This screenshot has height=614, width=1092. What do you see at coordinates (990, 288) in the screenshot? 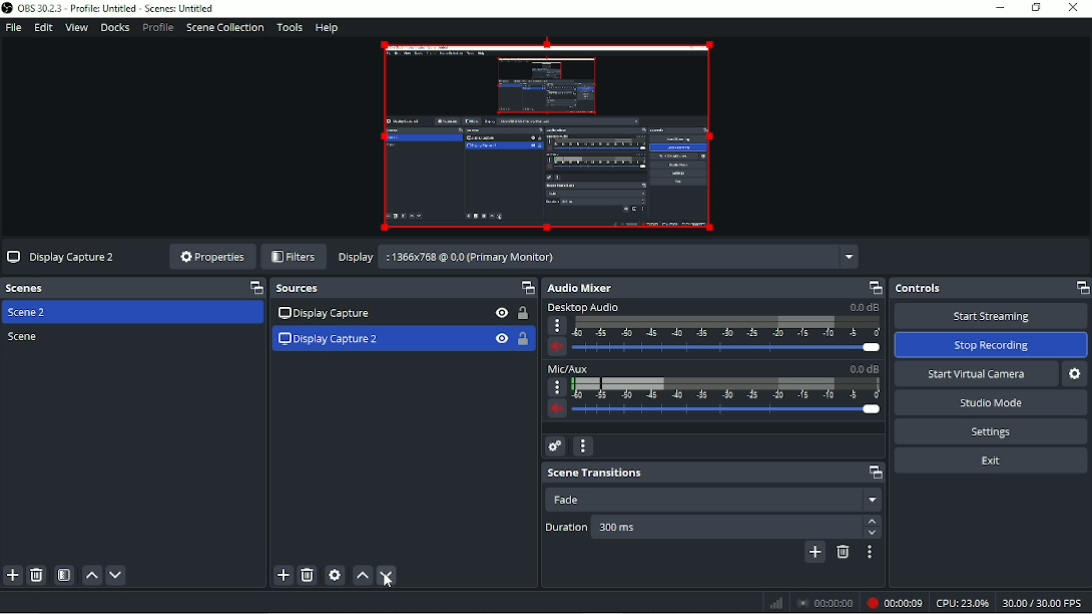
I see `Controls` at bounding box center [990, 288].